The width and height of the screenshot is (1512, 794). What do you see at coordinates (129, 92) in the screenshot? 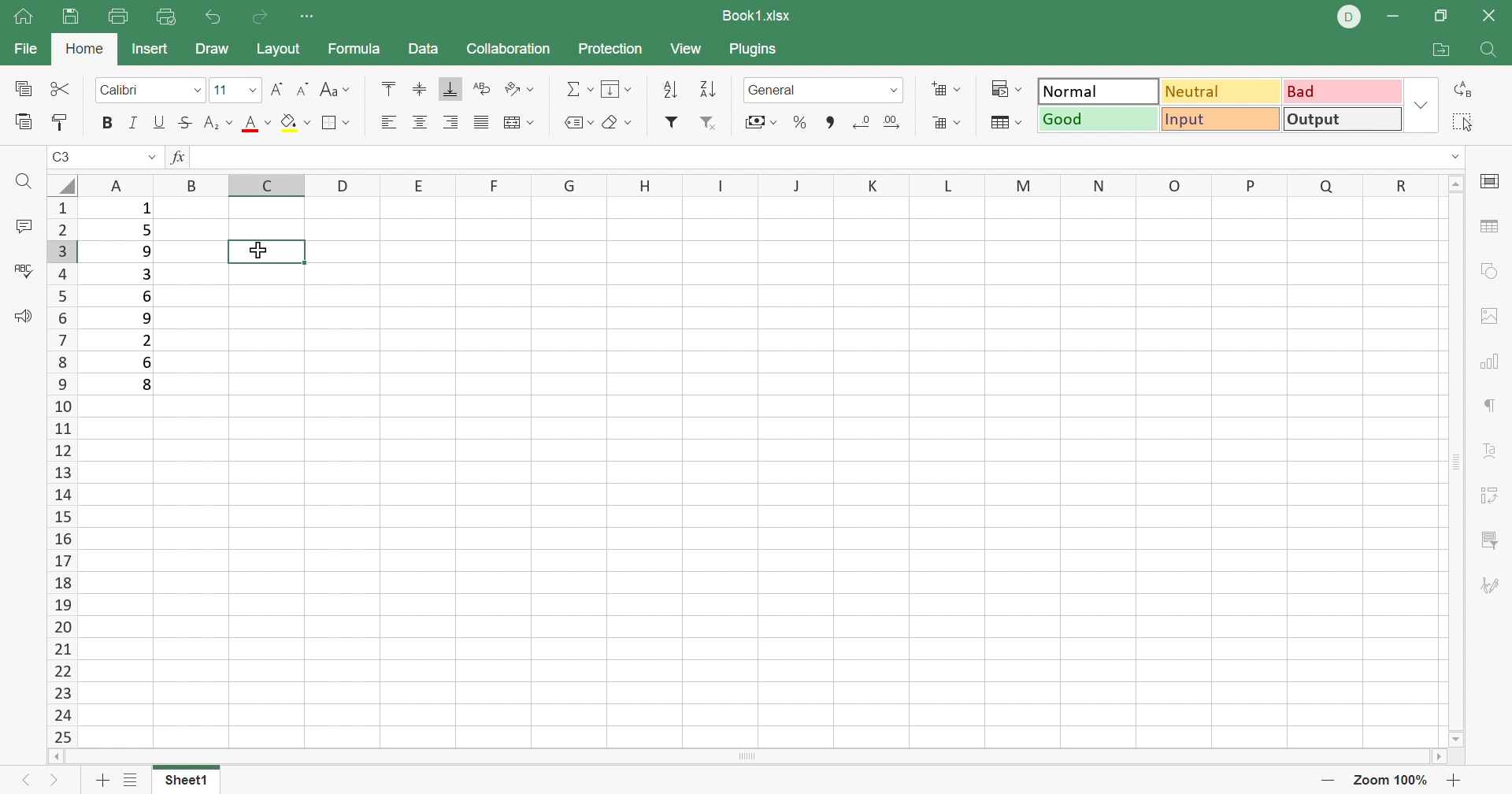
I see `Font` at bounding box center [129, 92].